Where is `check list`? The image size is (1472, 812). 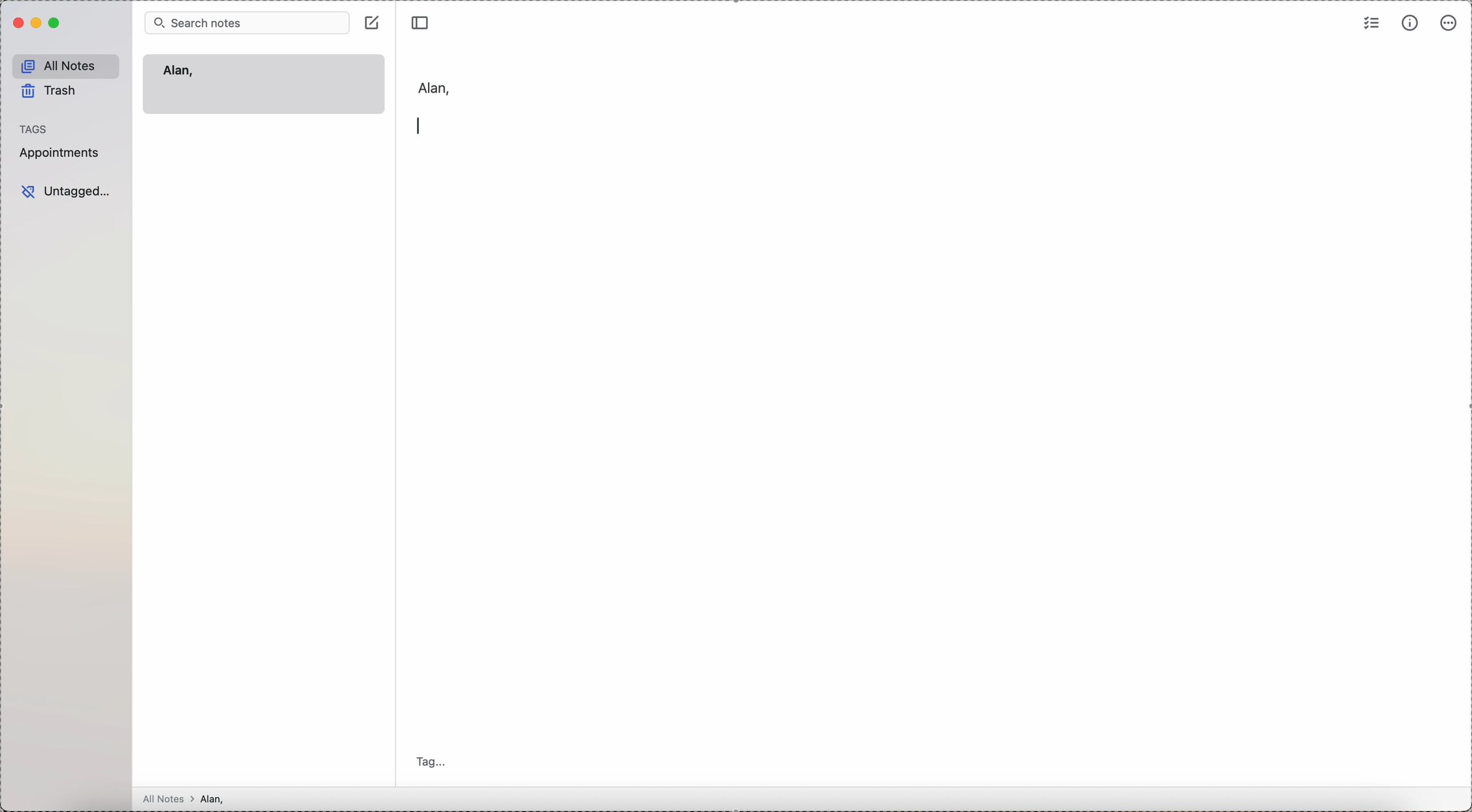 check list is located at coordinates (1372, 22).